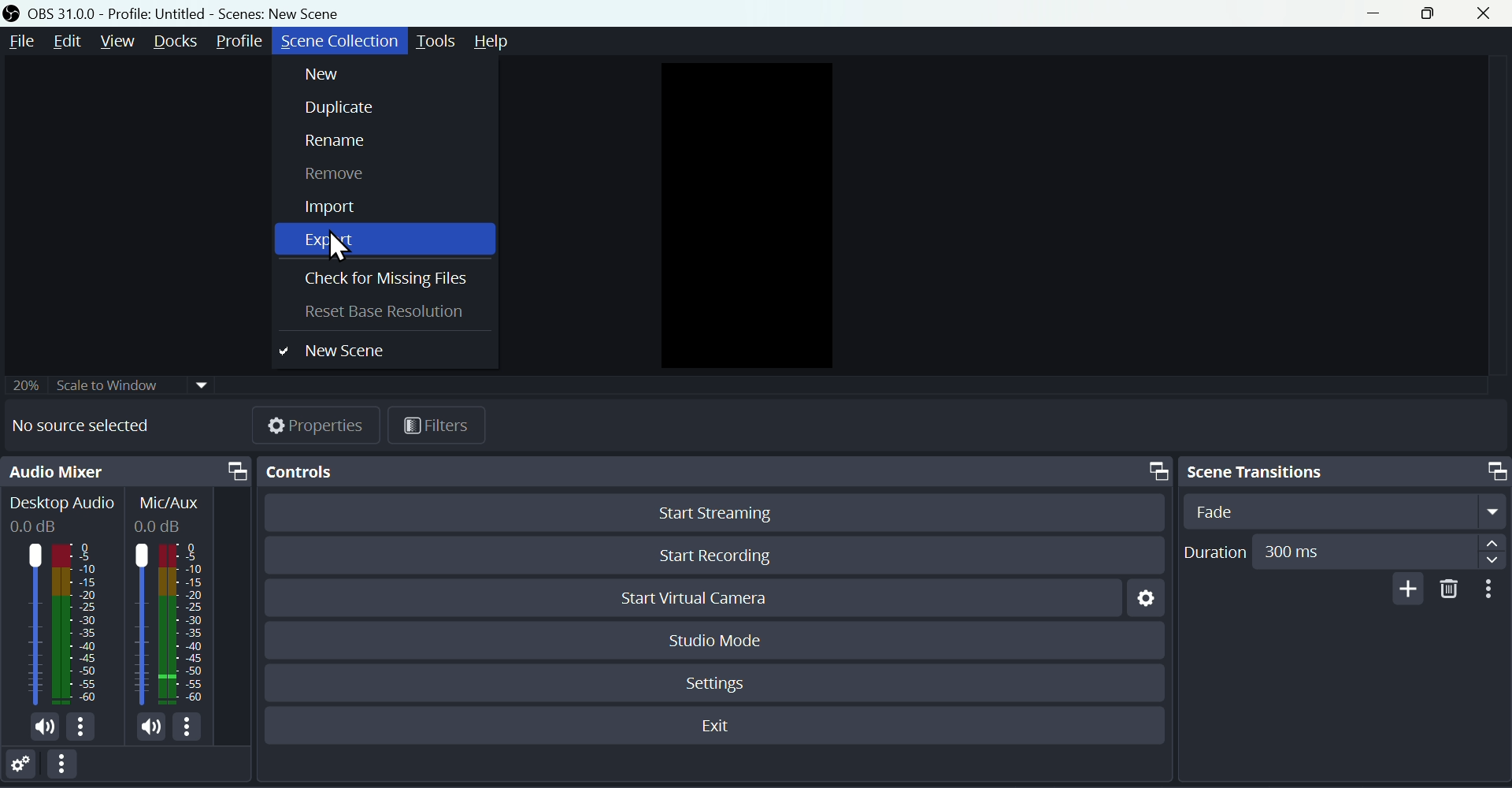  What do you see at coordinates (94, 426) in the screenshot?
I see `No source selected` at bounding box center [94, 426].